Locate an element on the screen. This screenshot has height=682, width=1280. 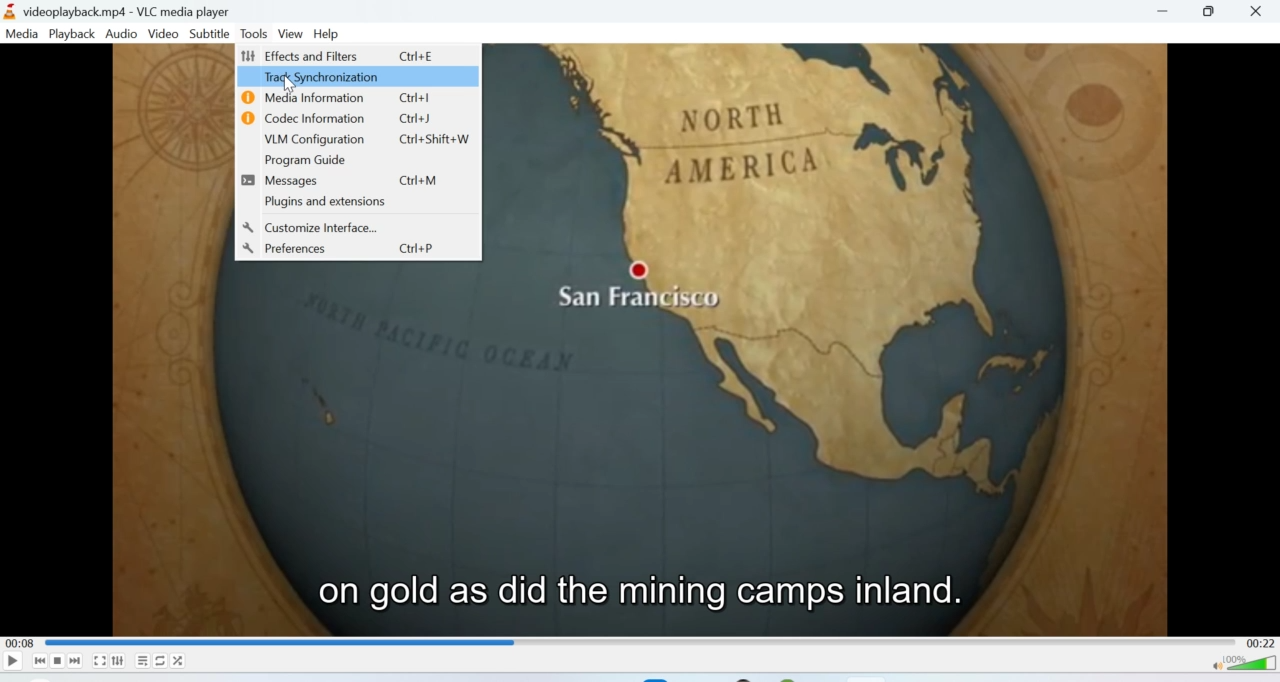
Audio is located at coordinates (123, 35).